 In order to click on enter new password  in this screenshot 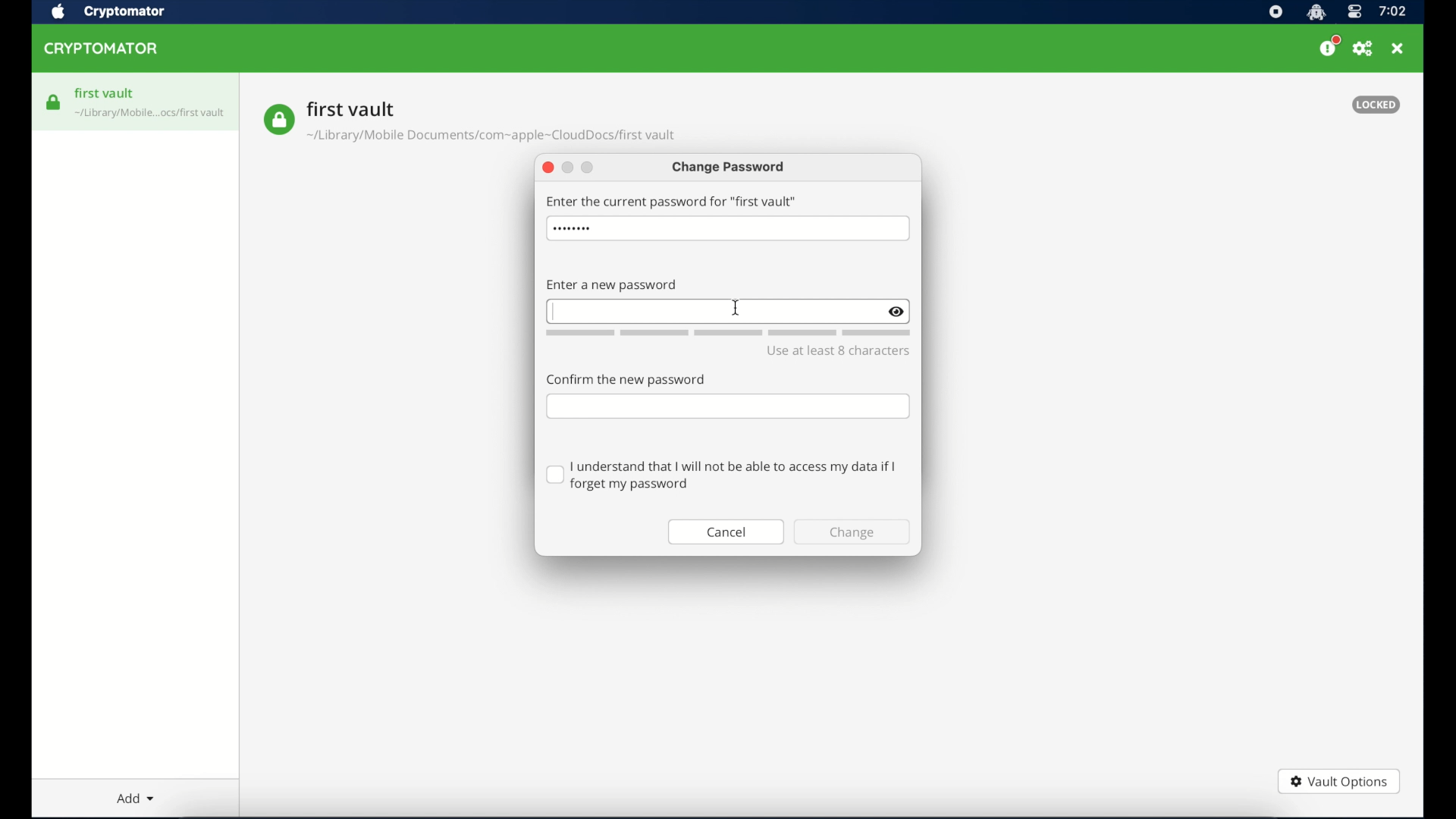, I will do `click(611, 286)`.